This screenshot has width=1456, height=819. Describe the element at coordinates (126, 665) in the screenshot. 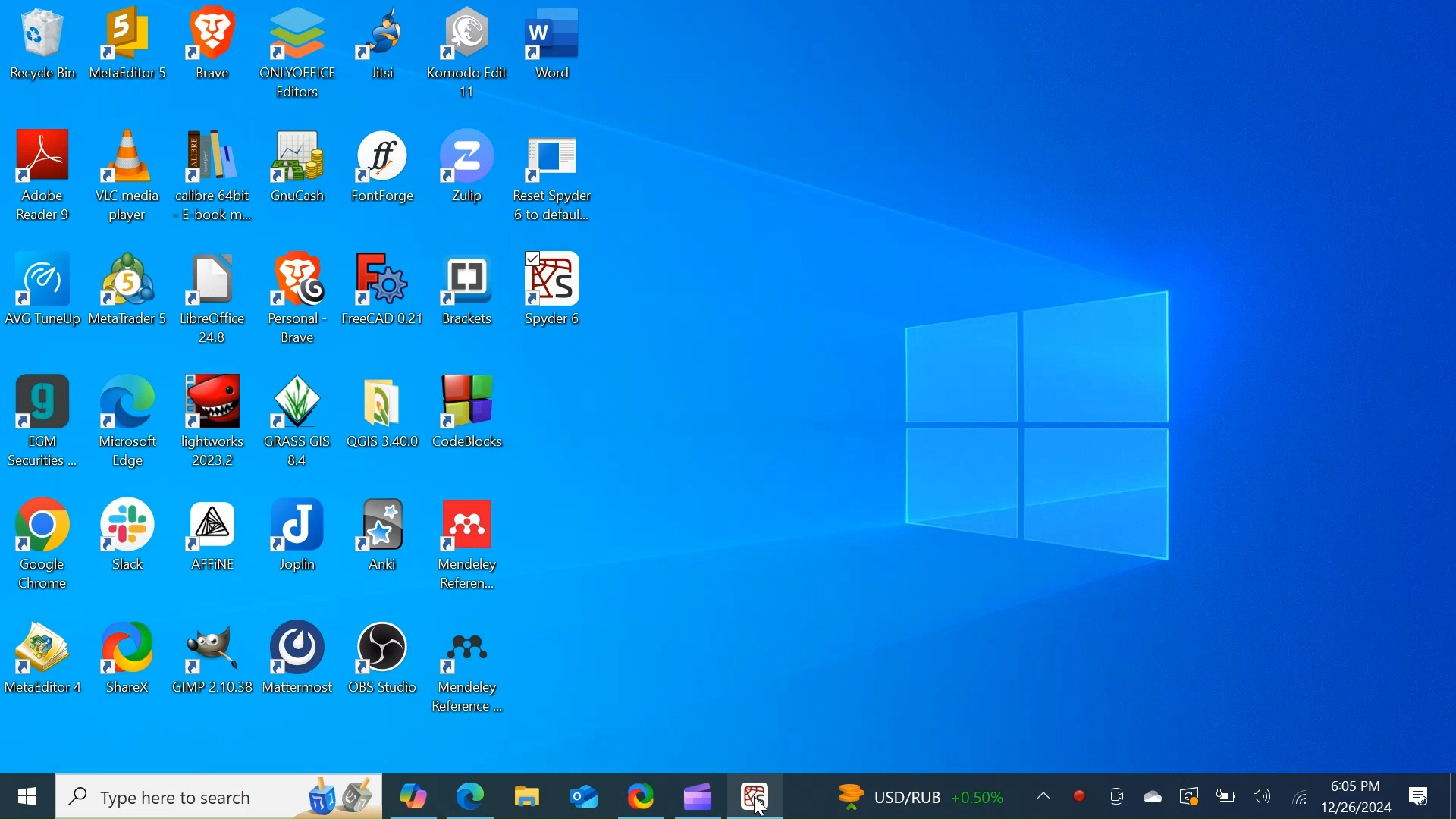

I see `ShareX Desktop Icon` at that location.